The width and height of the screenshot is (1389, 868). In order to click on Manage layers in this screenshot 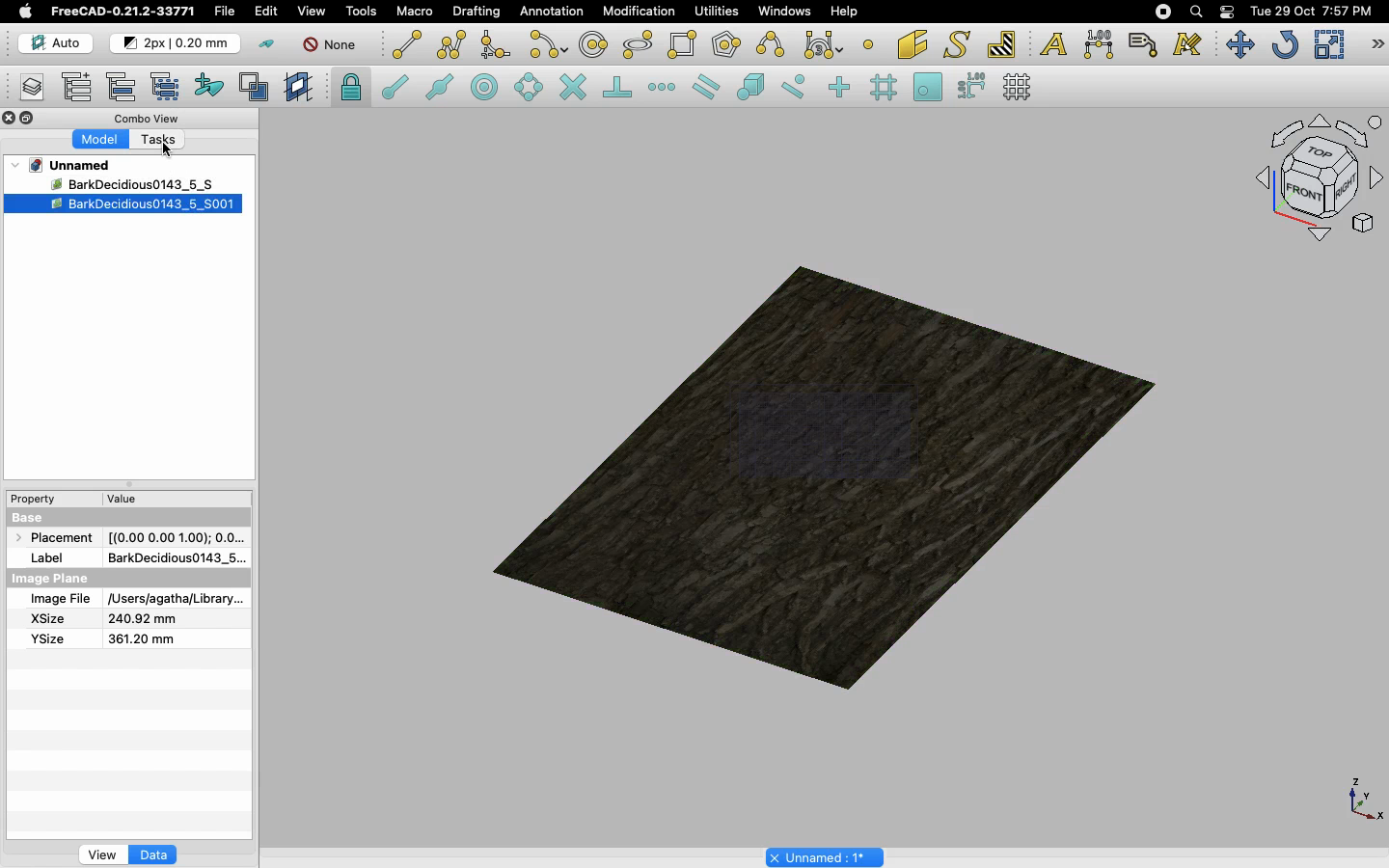, I will do `click(25, 89)`.